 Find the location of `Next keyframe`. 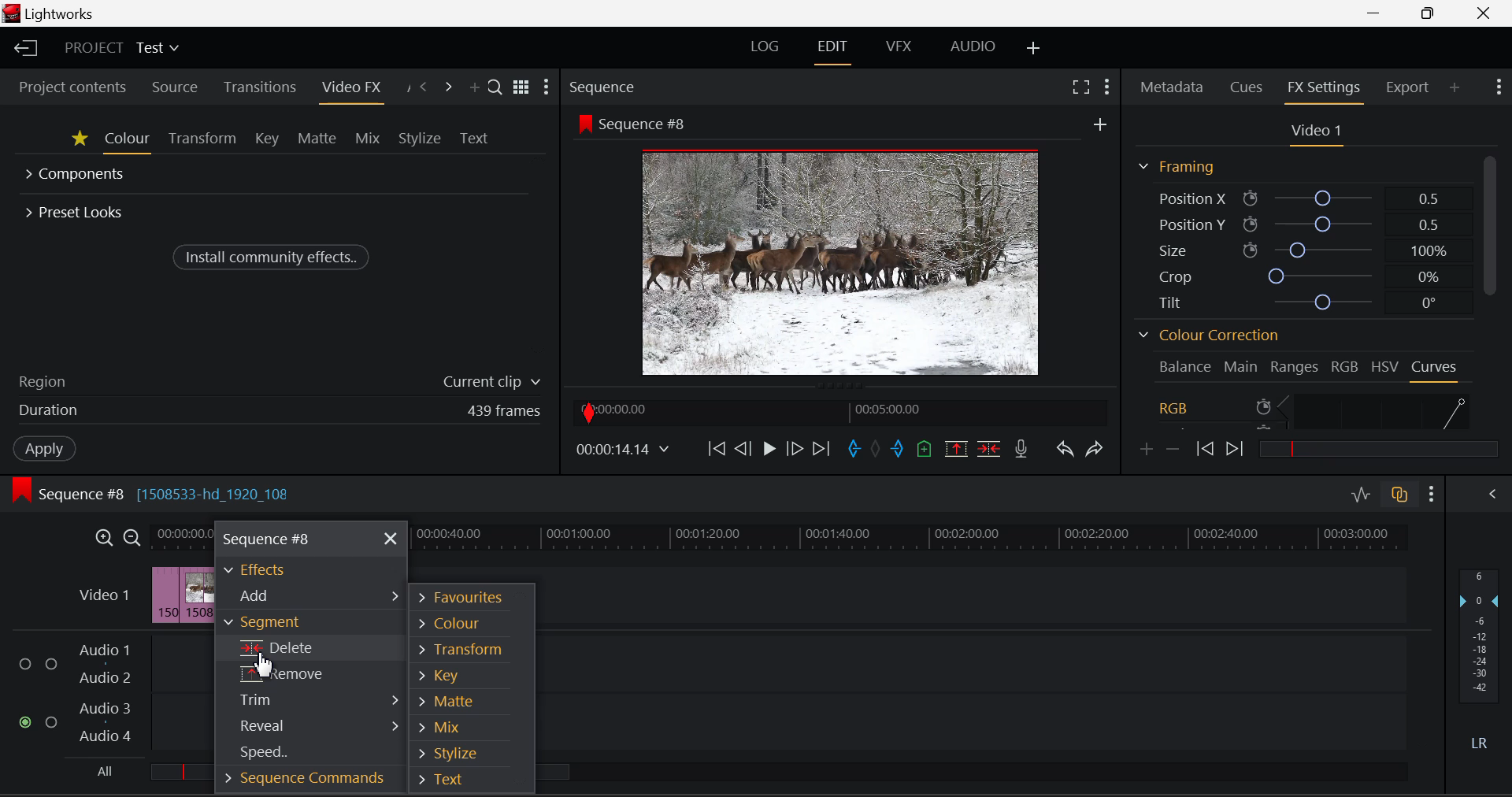

Next keyframe is located at coordinates (1238, 446).